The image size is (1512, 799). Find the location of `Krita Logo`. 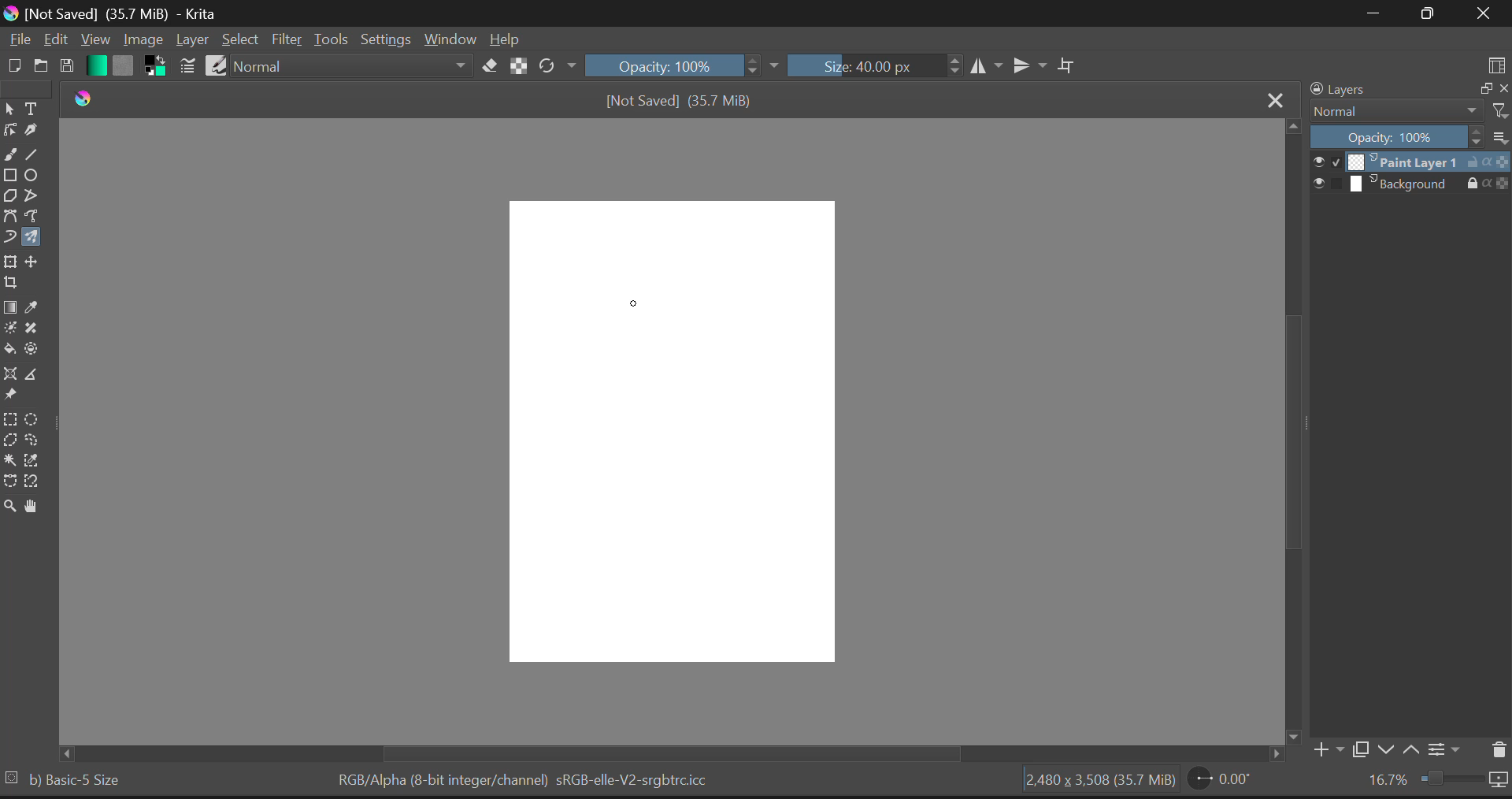

Krita Logo is located at coordinates (82, 98).